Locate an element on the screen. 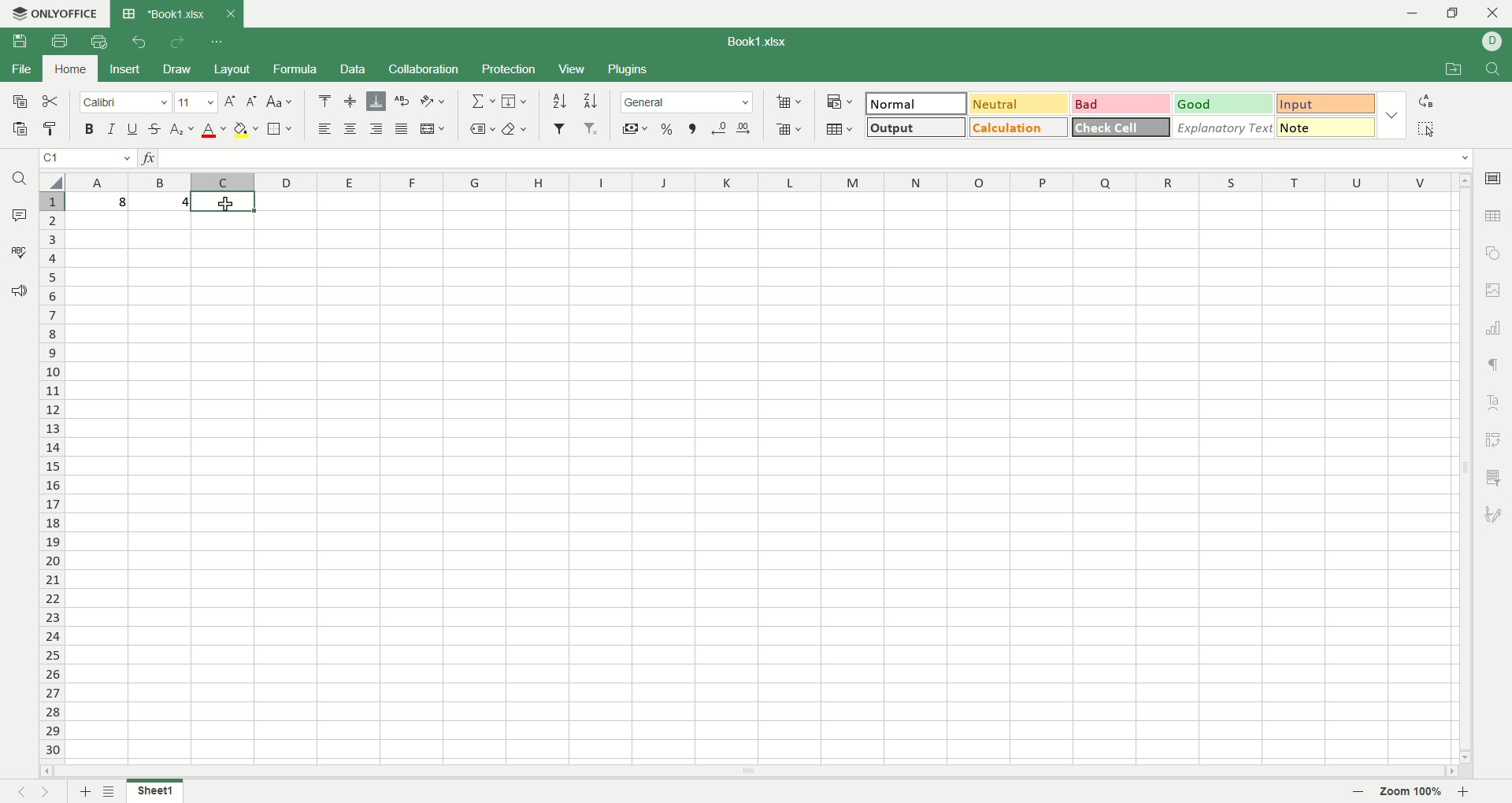 The width and height of the screenshot is (1512, 803). sort descending is located at coordinates (592, 101).